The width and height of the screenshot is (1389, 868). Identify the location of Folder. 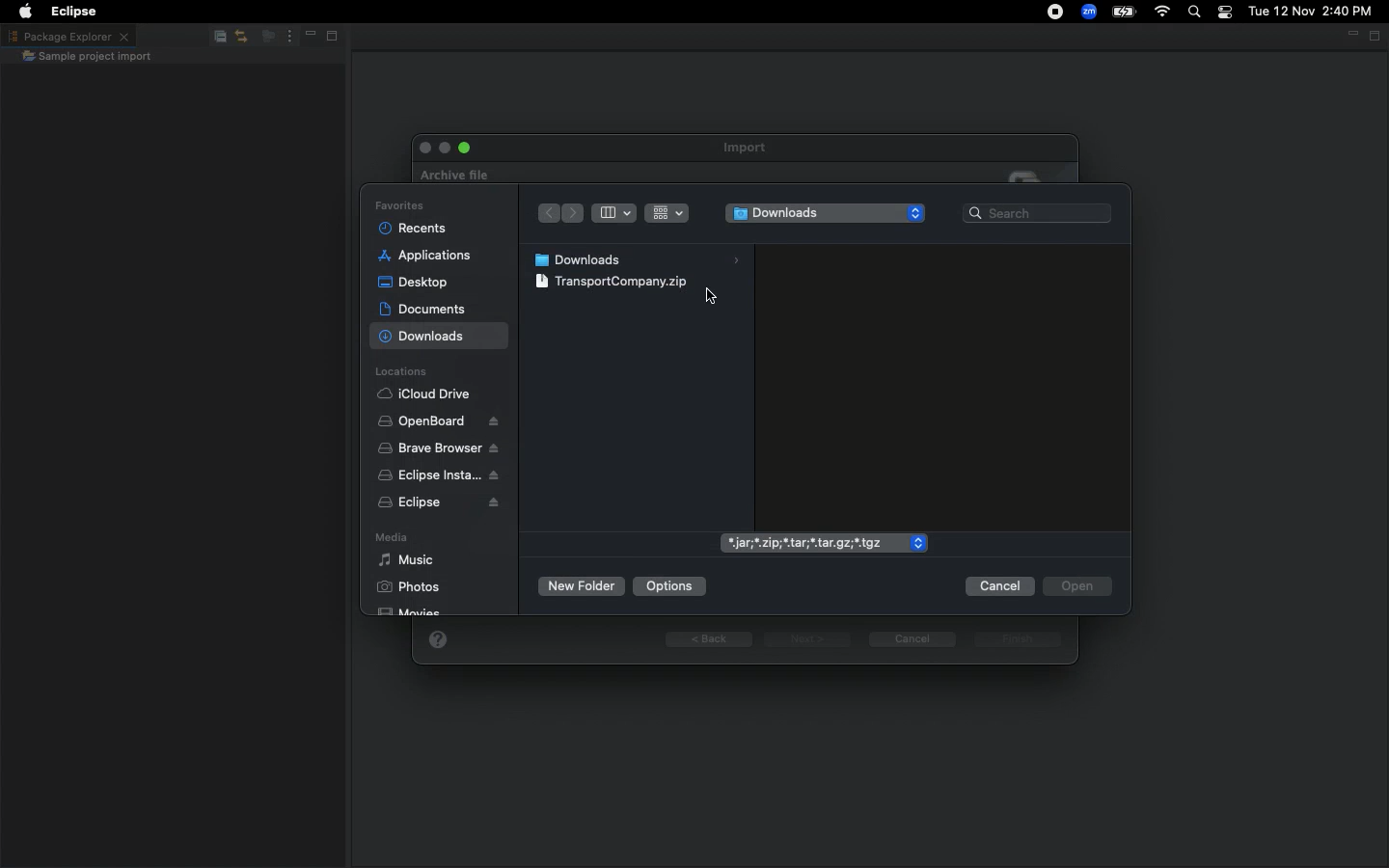
(87, 58).